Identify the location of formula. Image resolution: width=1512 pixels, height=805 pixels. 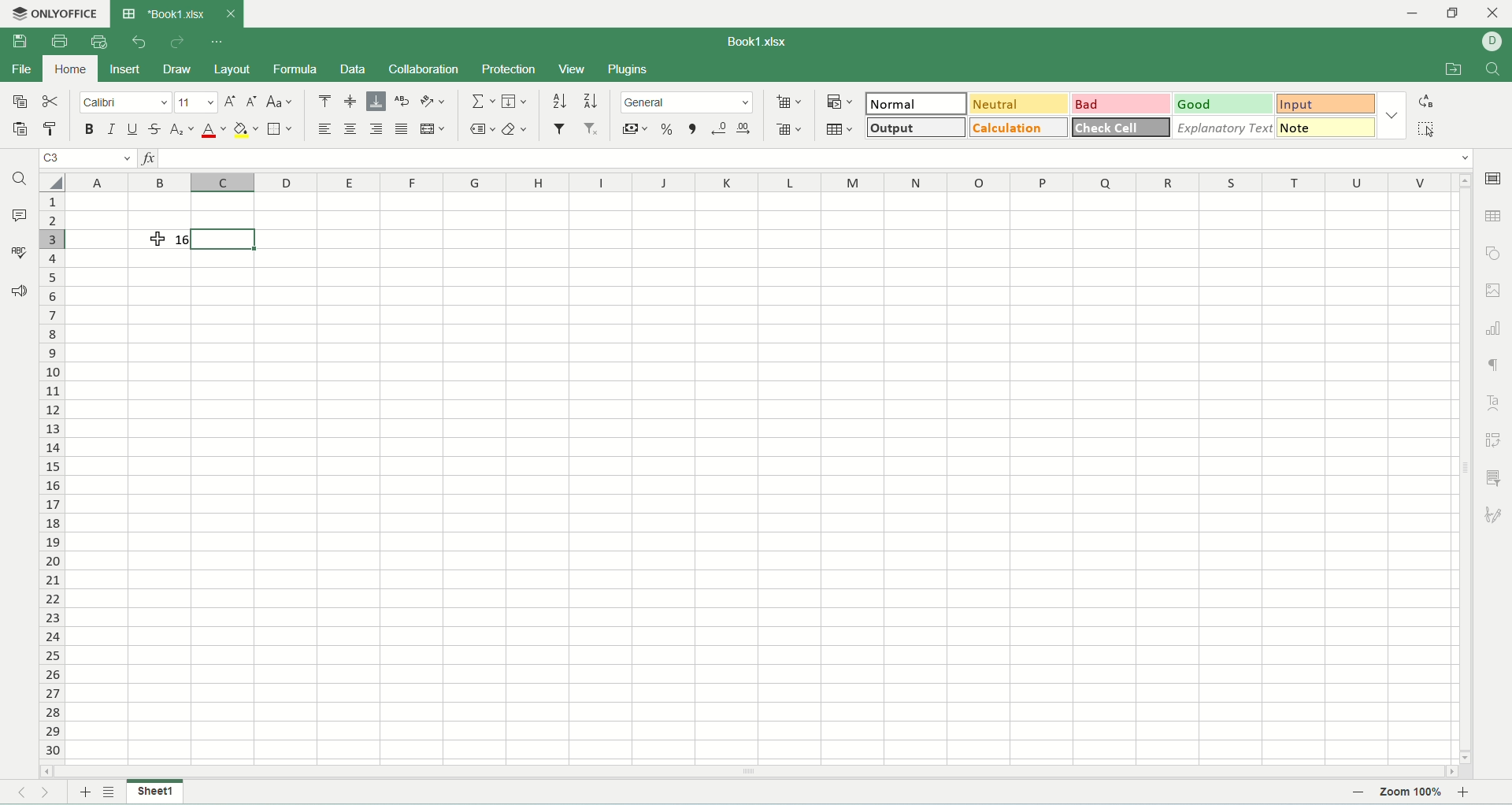
(293, 69).